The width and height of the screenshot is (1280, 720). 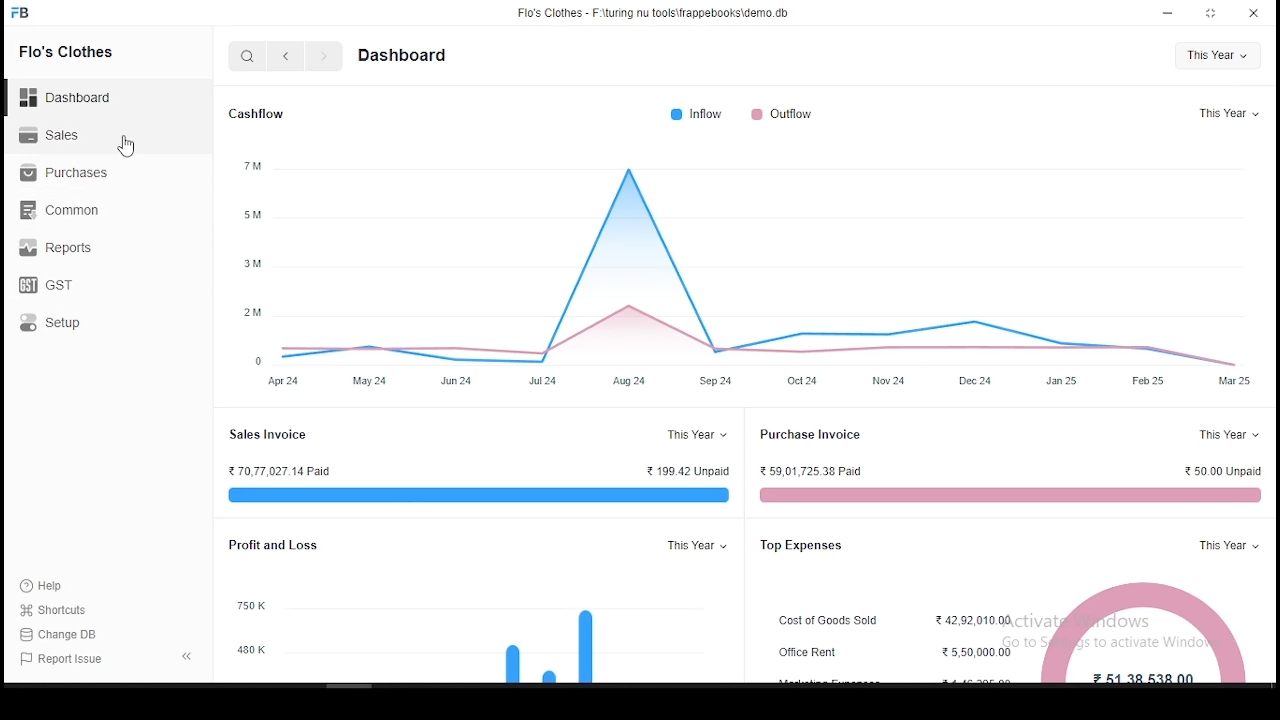 What do you see at coordinates (75, 98) in the screenshot?
I see `Dashboard` at bounding box center [75, 98].